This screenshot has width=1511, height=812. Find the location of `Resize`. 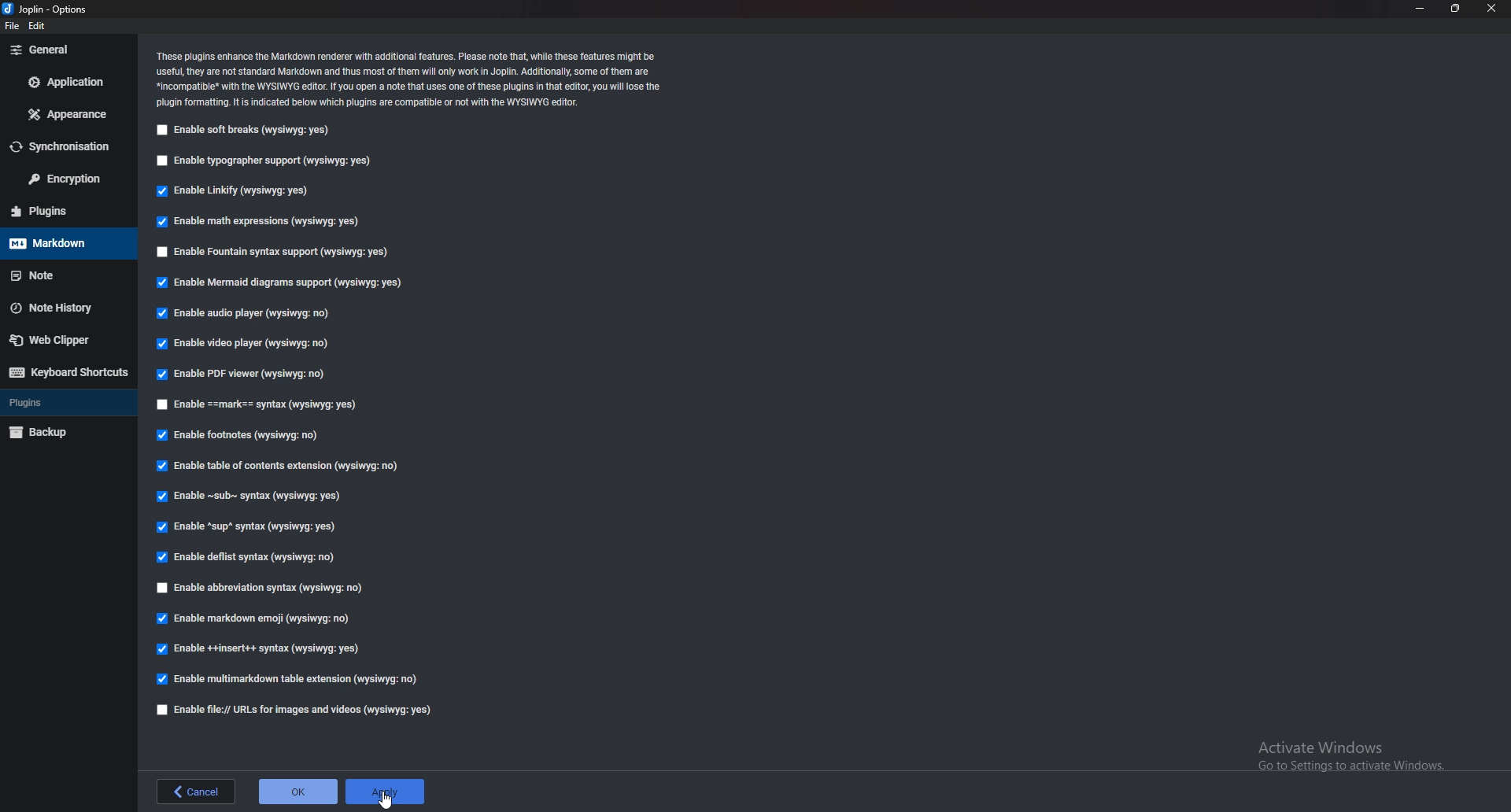

Resize is located at coordinates (1454, 9).